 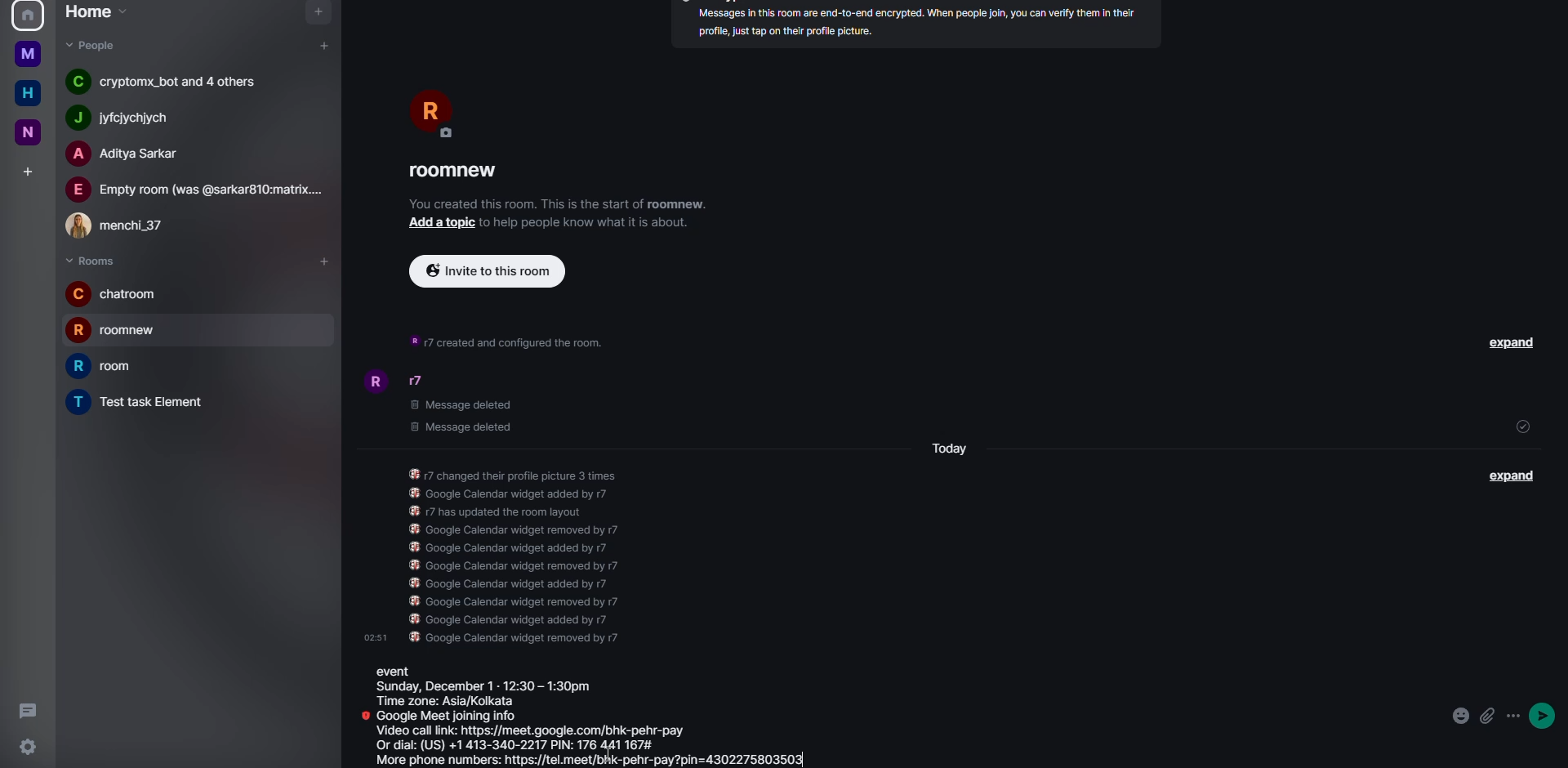 What do you see at coordinates (144, 401) in the screenshot?
I see `room` at bounding box center [144, 401].